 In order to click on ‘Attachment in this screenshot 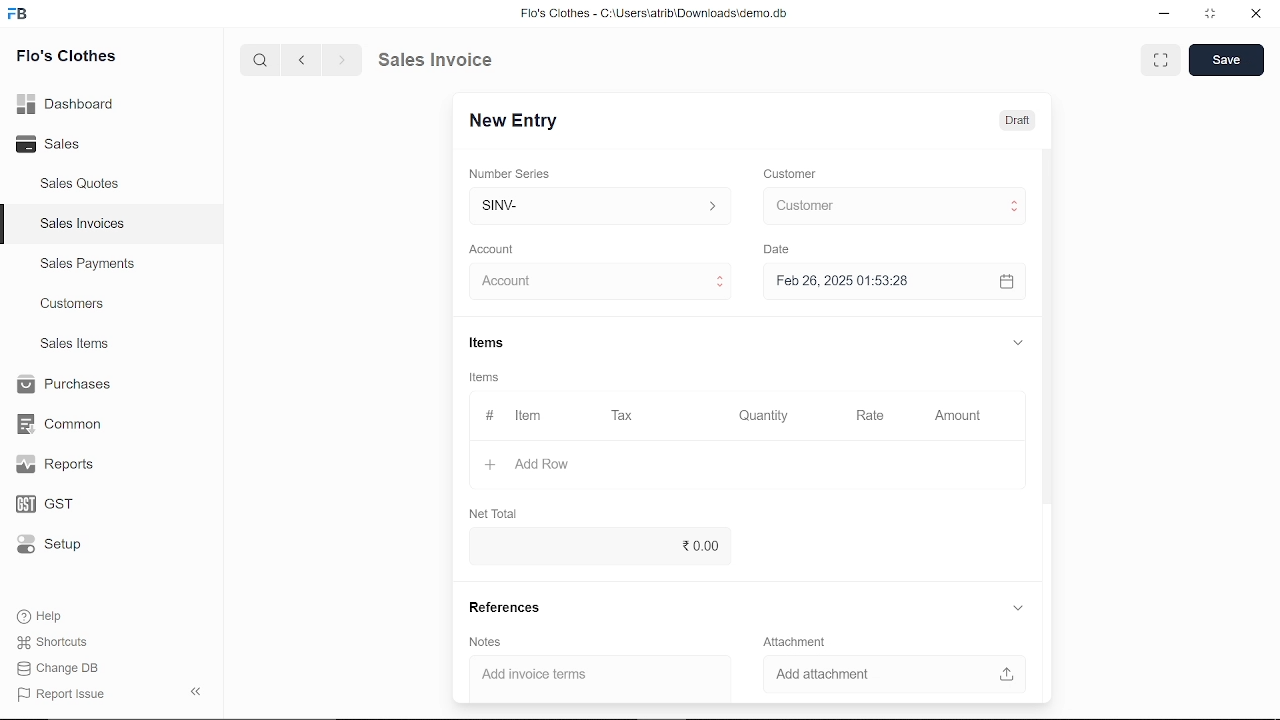, I will do `click(792, 642)`.